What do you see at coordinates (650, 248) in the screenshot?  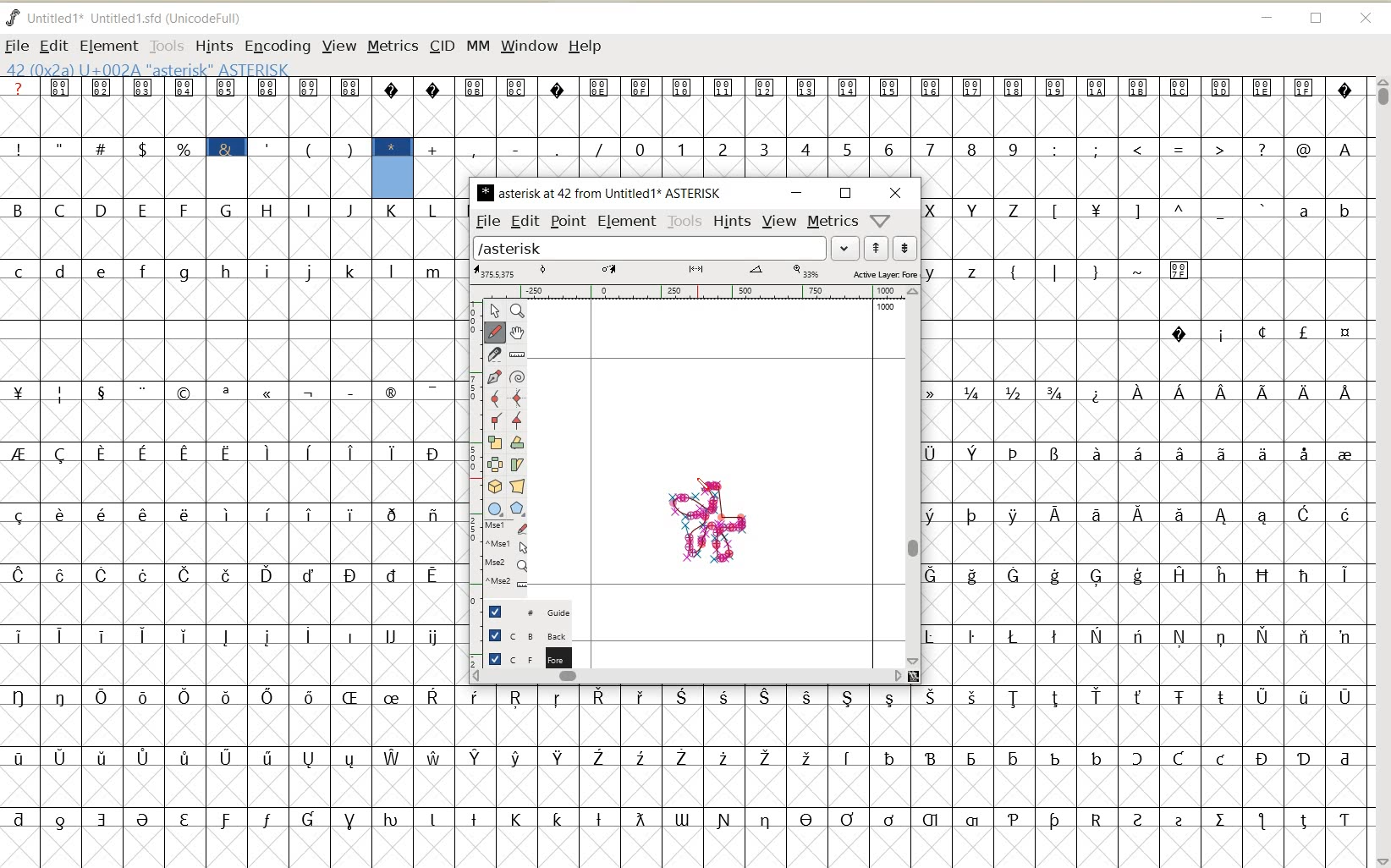 I see `load word list` at bounding box center [650, 248].